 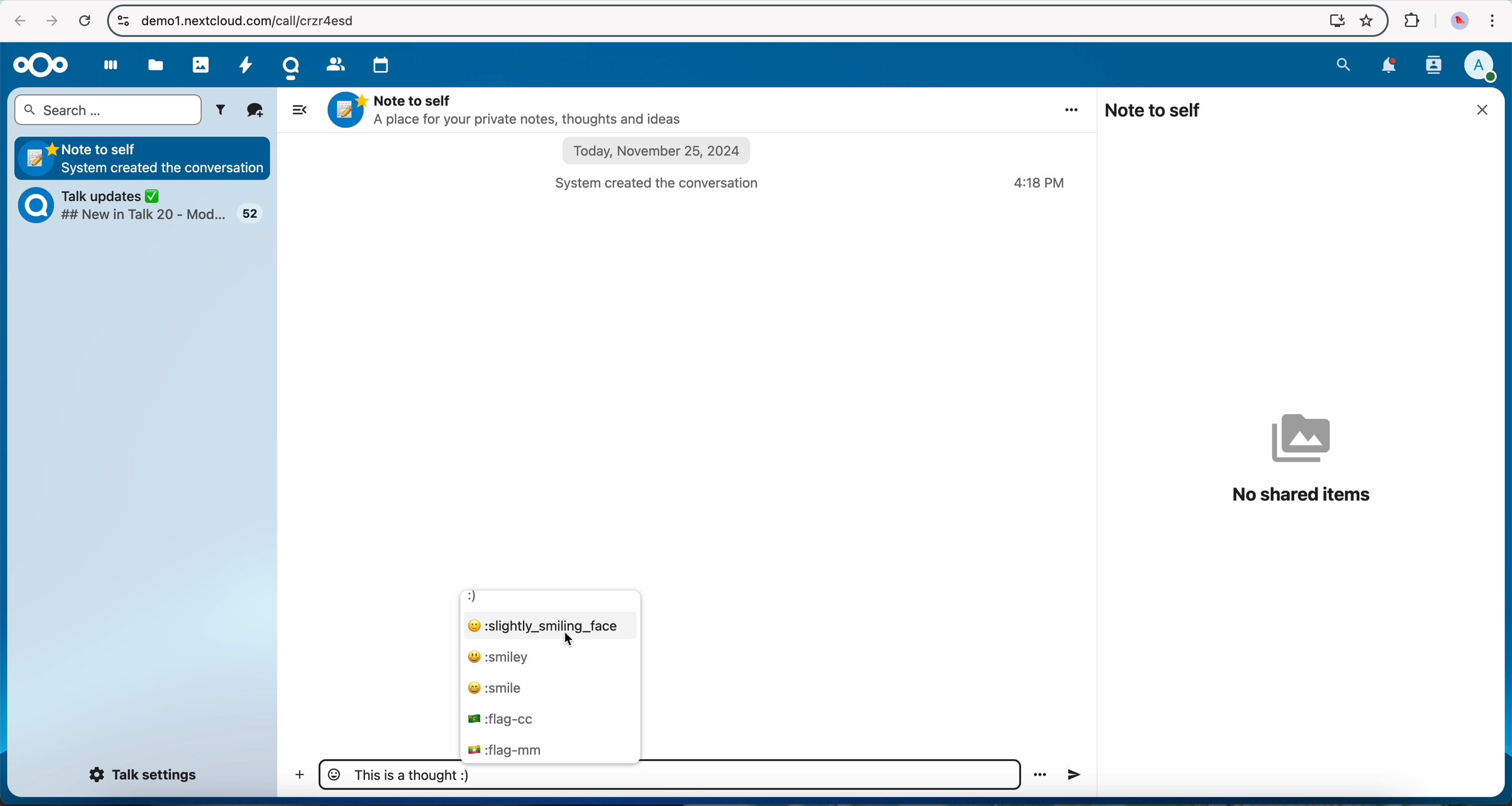 What do you see at coordinates (200, 63) in the screenshot?
I see `photos` at bounding box center [200, 63].